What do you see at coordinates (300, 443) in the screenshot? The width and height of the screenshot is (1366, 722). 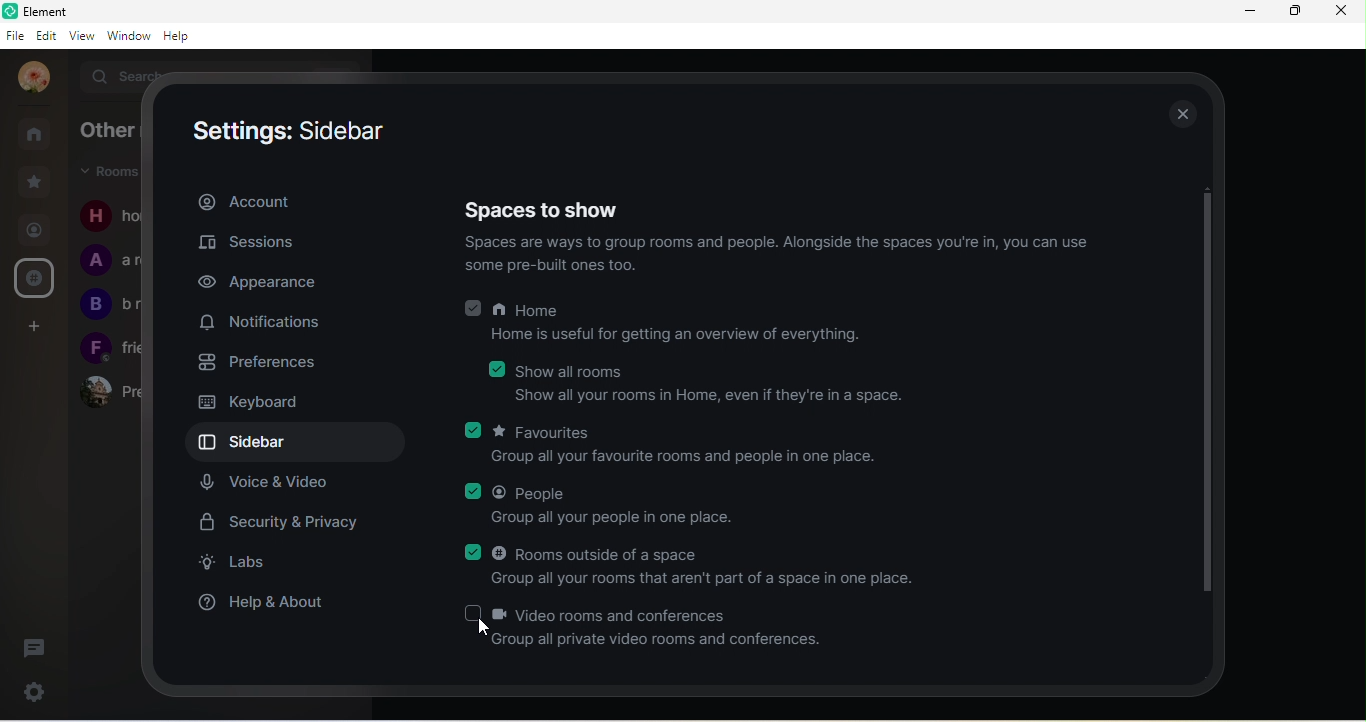 I see `sidebar` at bounding box center [300, 443].